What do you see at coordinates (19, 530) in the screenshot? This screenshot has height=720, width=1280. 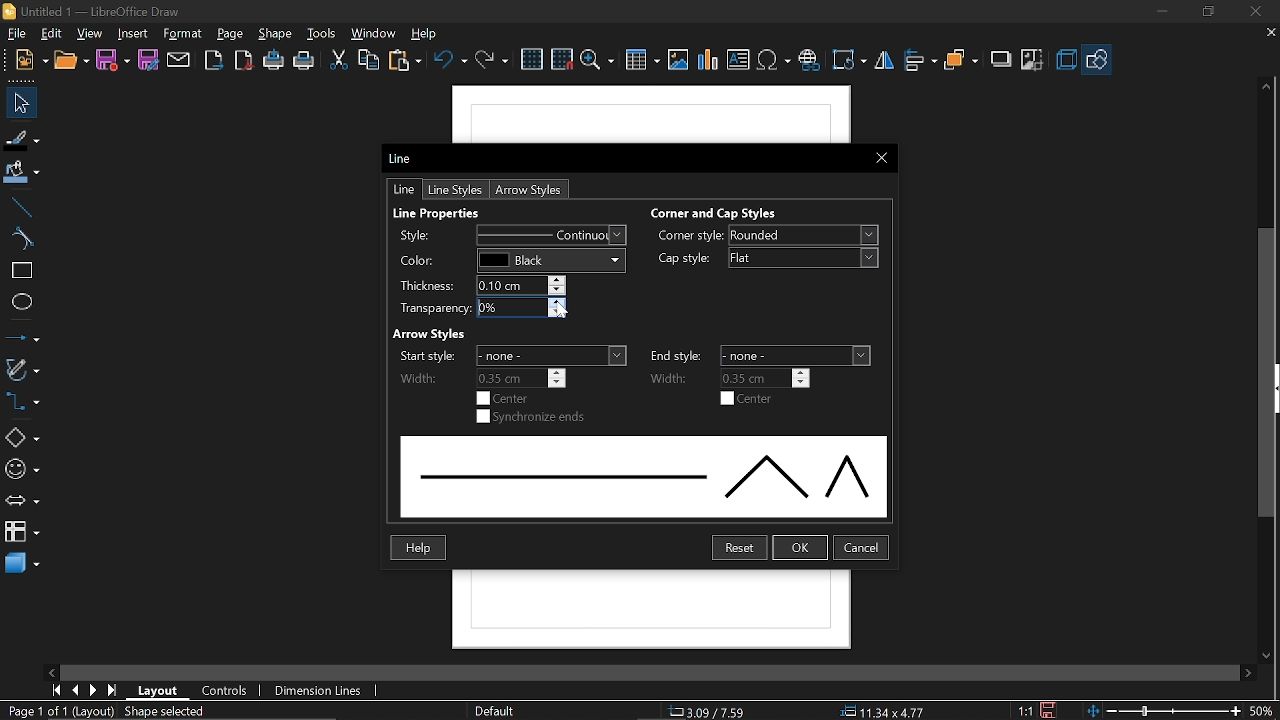 I see `flowchart` at bounding box center [19, 530].